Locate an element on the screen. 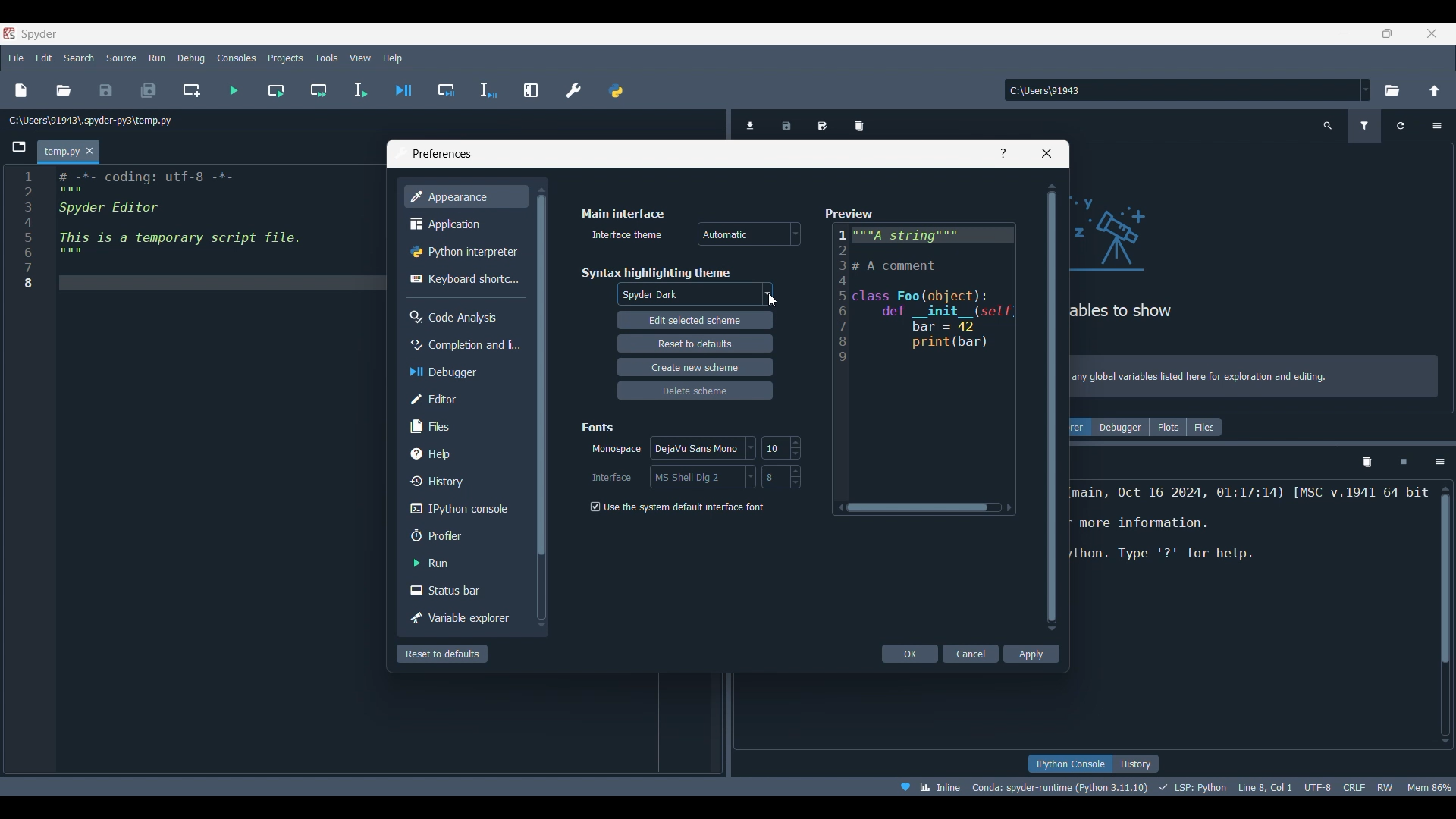 The width and height of the screenshot is (1456, 819). Status bar is located at coordinates (465, 589).